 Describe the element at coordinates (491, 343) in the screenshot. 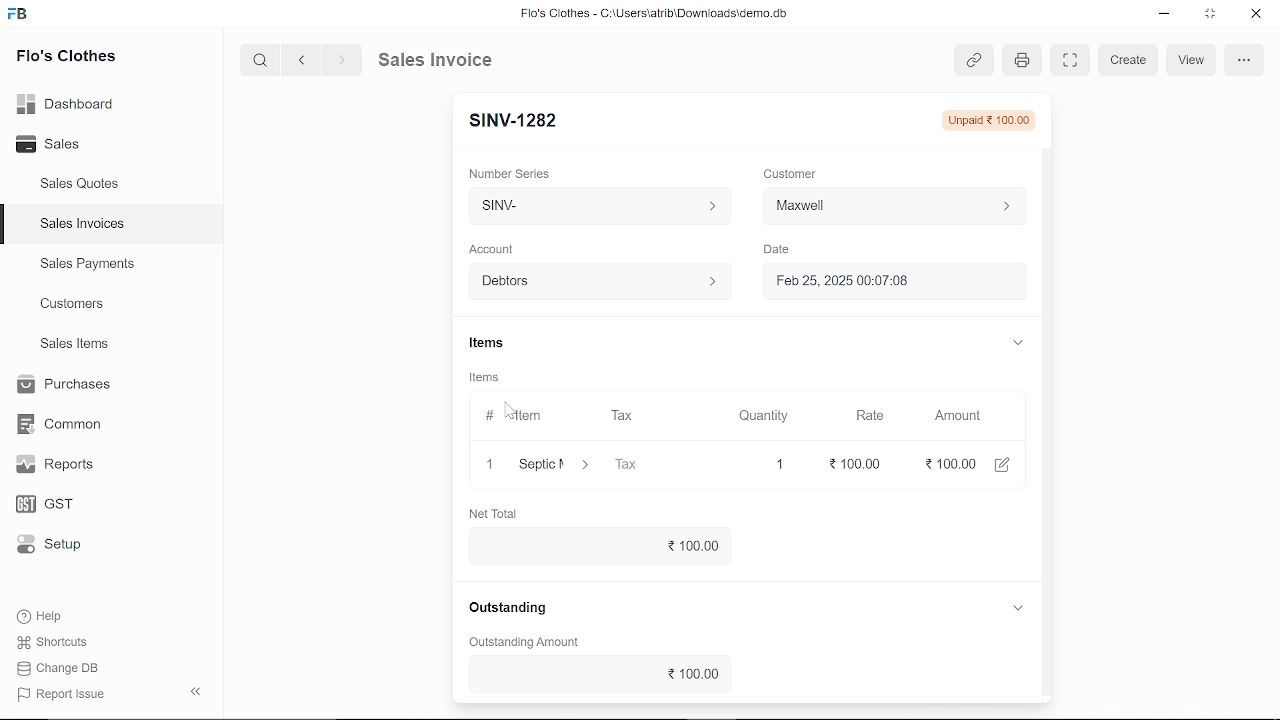

I see `Items` at that location.